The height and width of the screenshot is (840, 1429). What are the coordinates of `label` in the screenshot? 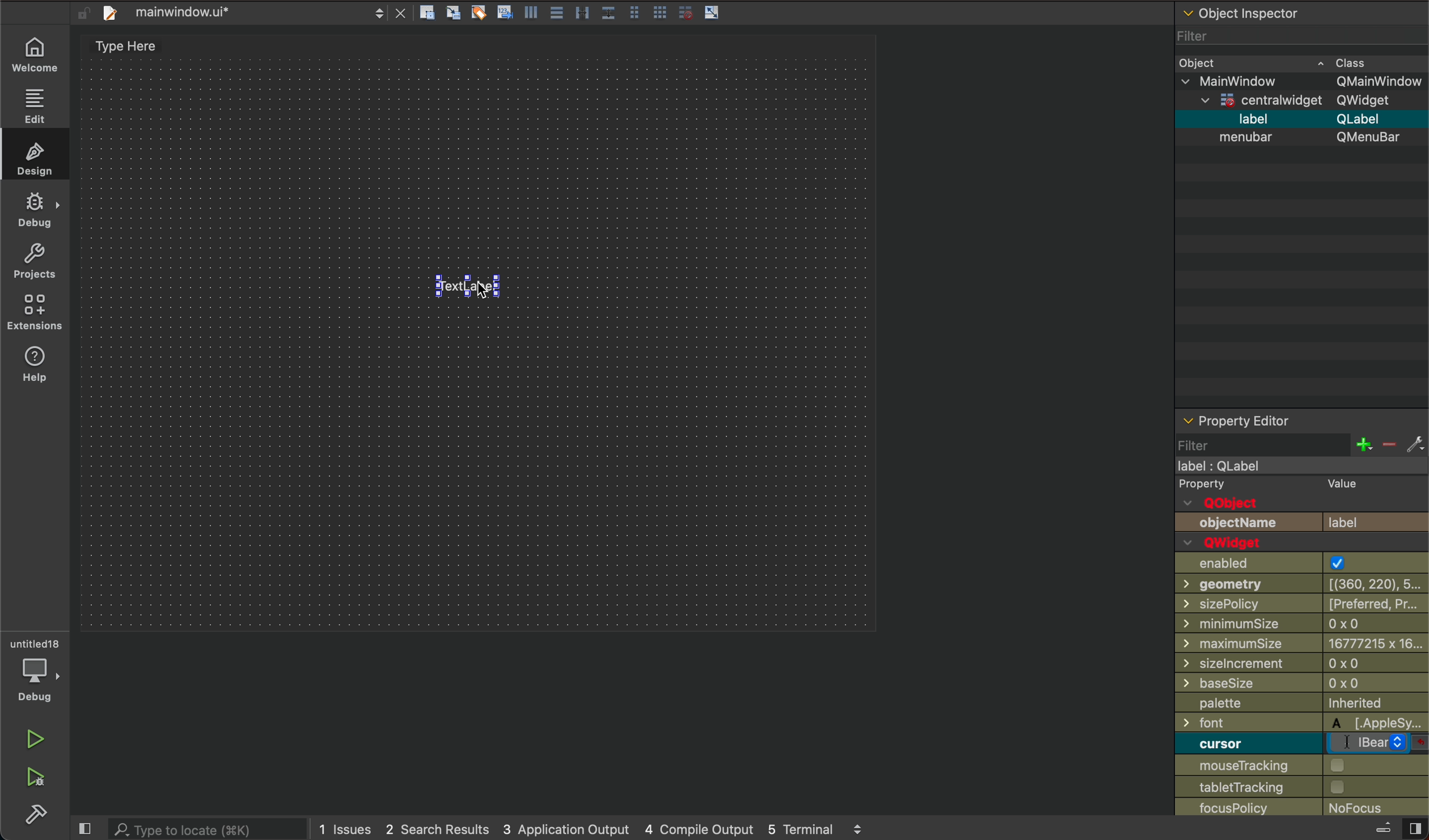 It's located at (1364, 521).